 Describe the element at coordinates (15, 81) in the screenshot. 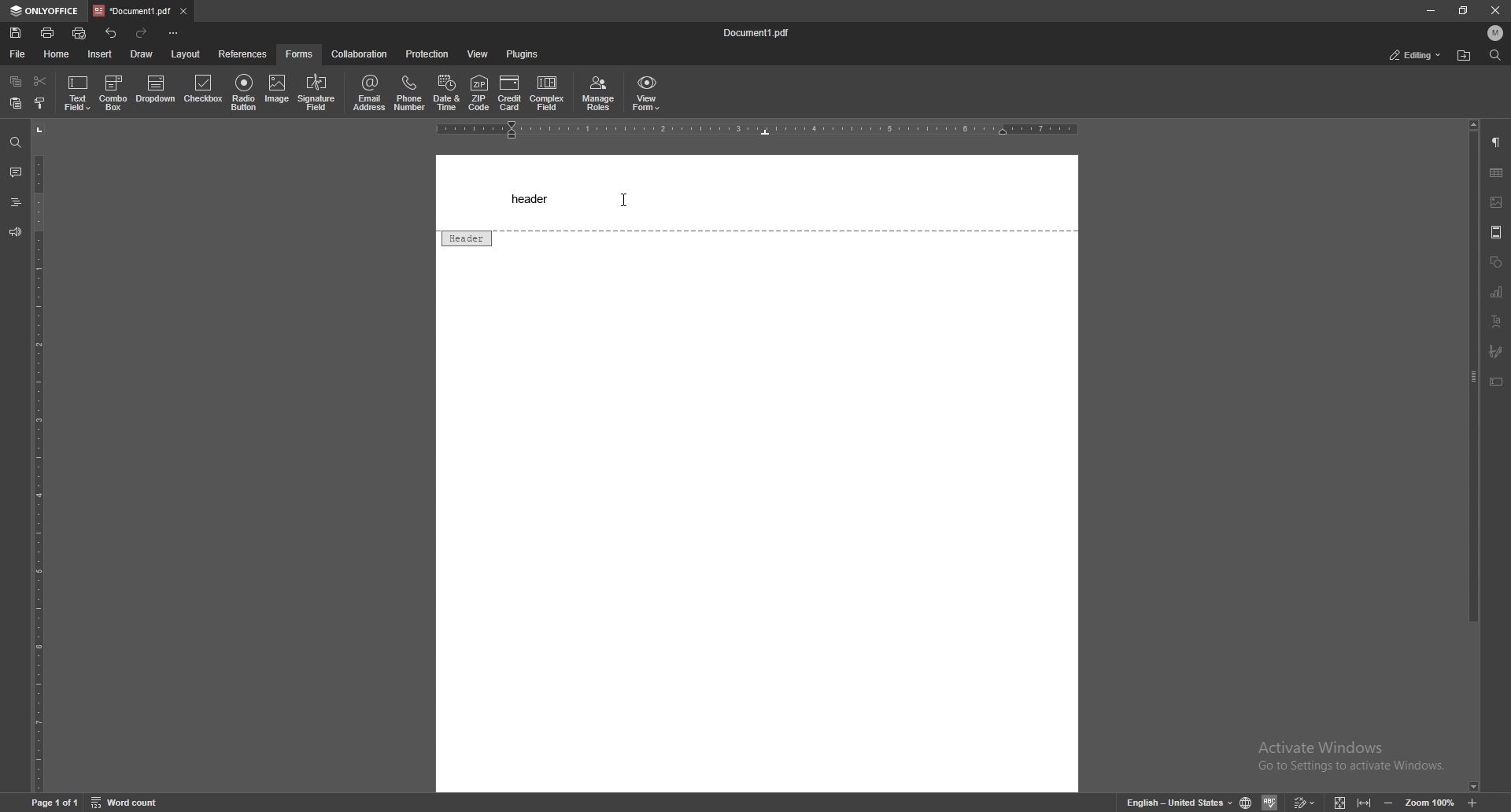

I see `copy` at that location.